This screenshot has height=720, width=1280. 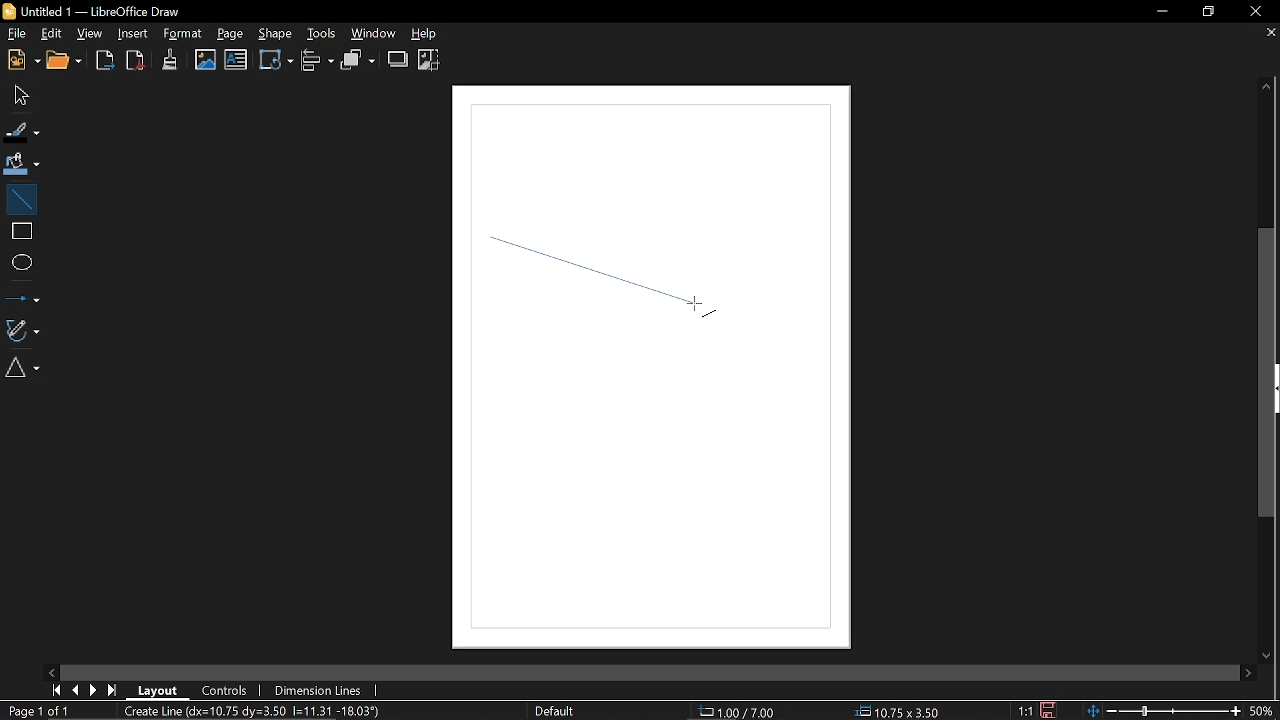 I want to click on Current page, so click(x=38, y=711).